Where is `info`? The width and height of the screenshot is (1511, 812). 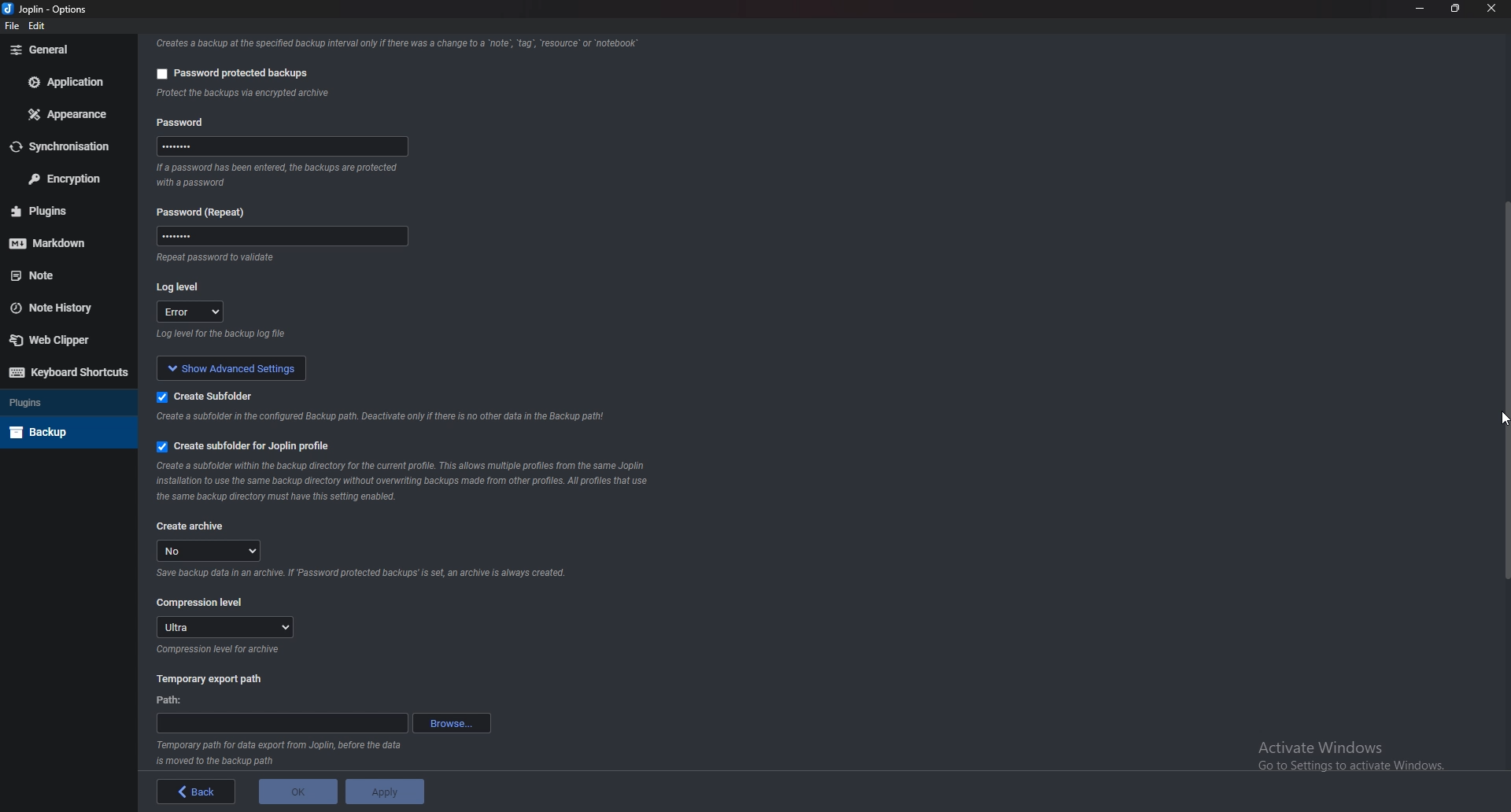
info is located at coordinates (249, 259).